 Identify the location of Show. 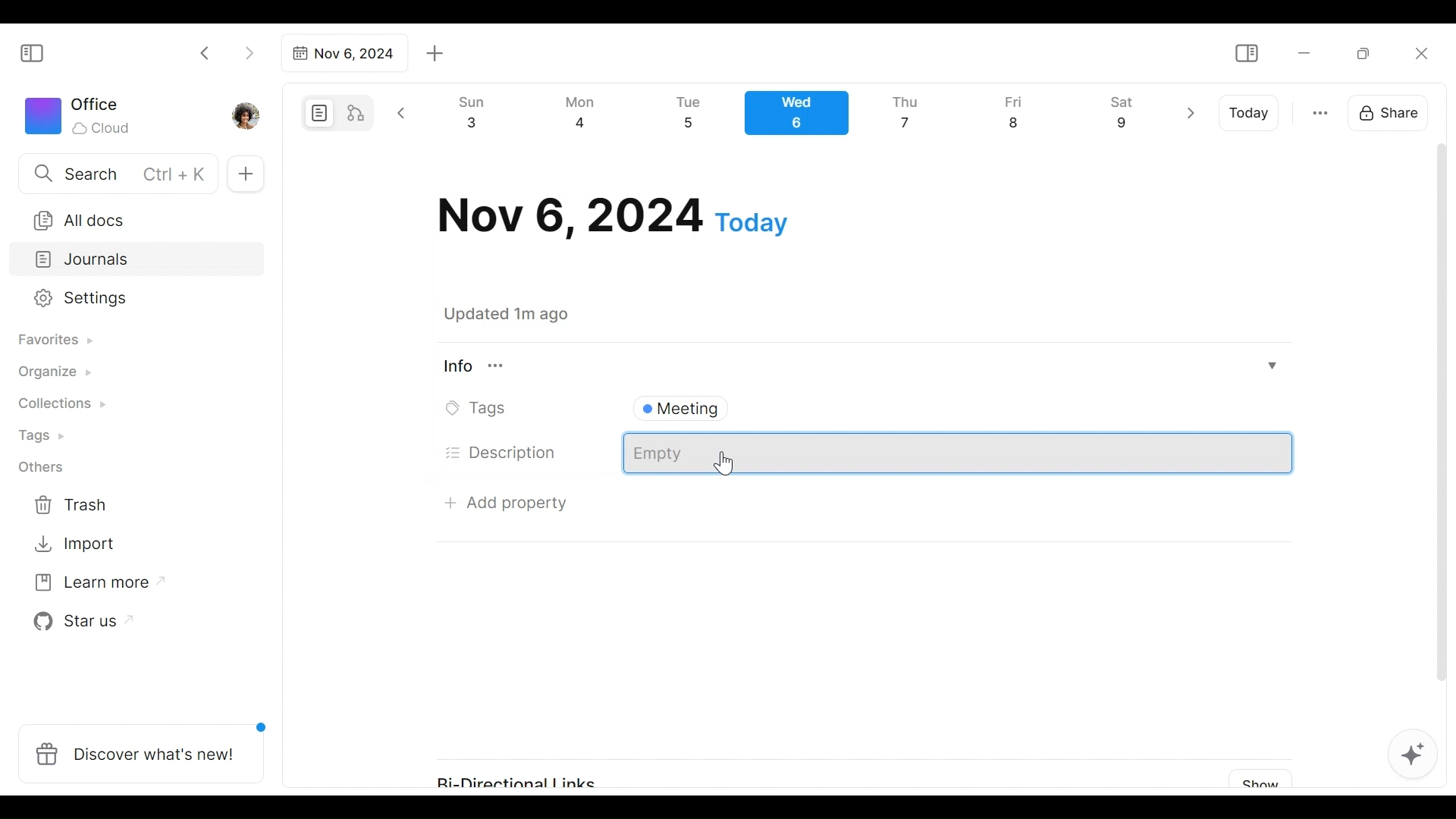
(1255, 780).